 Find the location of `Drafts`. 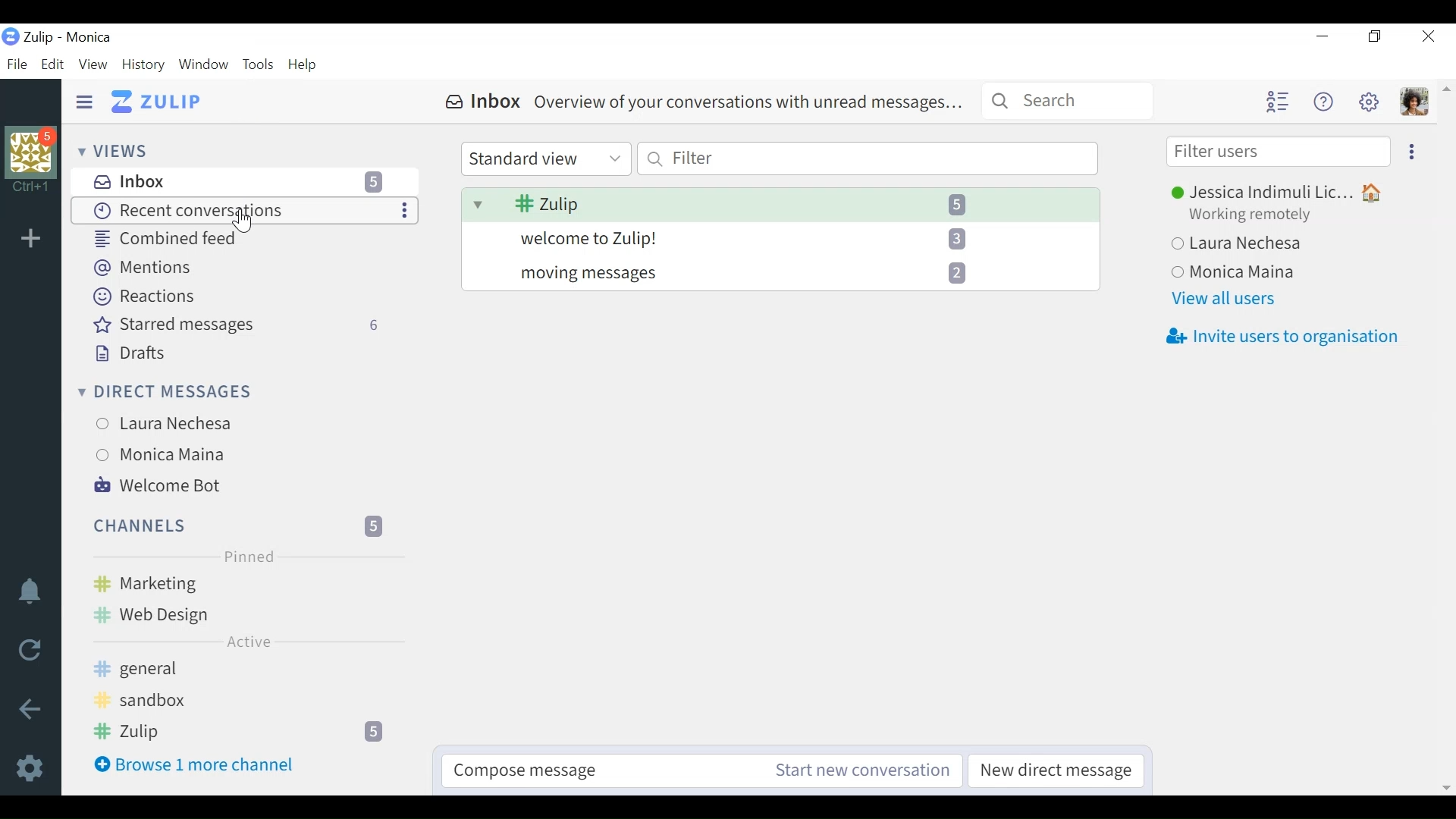

Drafts is located at coordinates (133, 353).